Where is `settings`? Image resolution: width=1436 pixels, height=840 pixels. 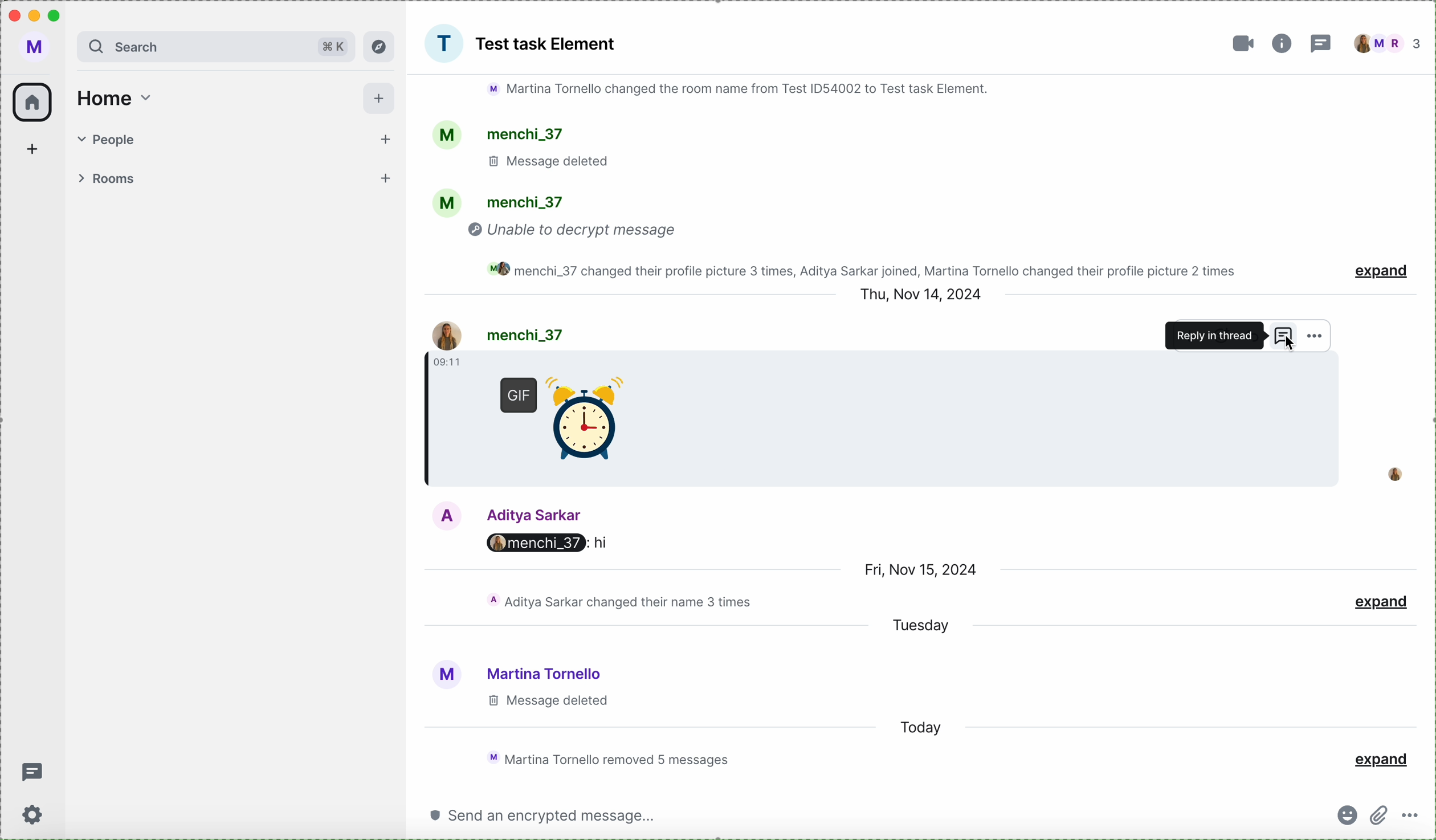 settings is located at coordinates (35, 816).